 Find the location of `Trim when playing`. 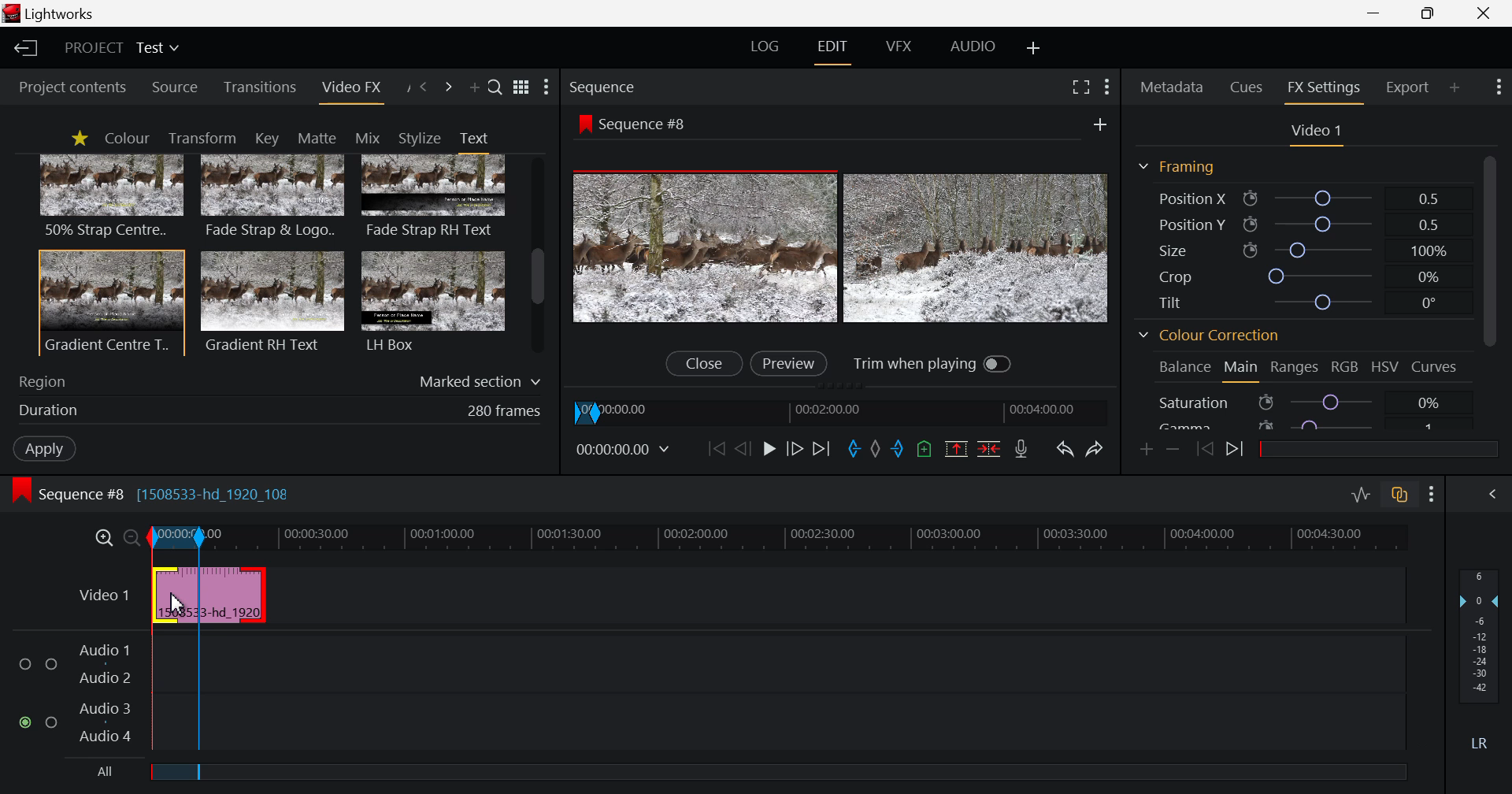

Trim when playing is located at coordinates (933, 363).